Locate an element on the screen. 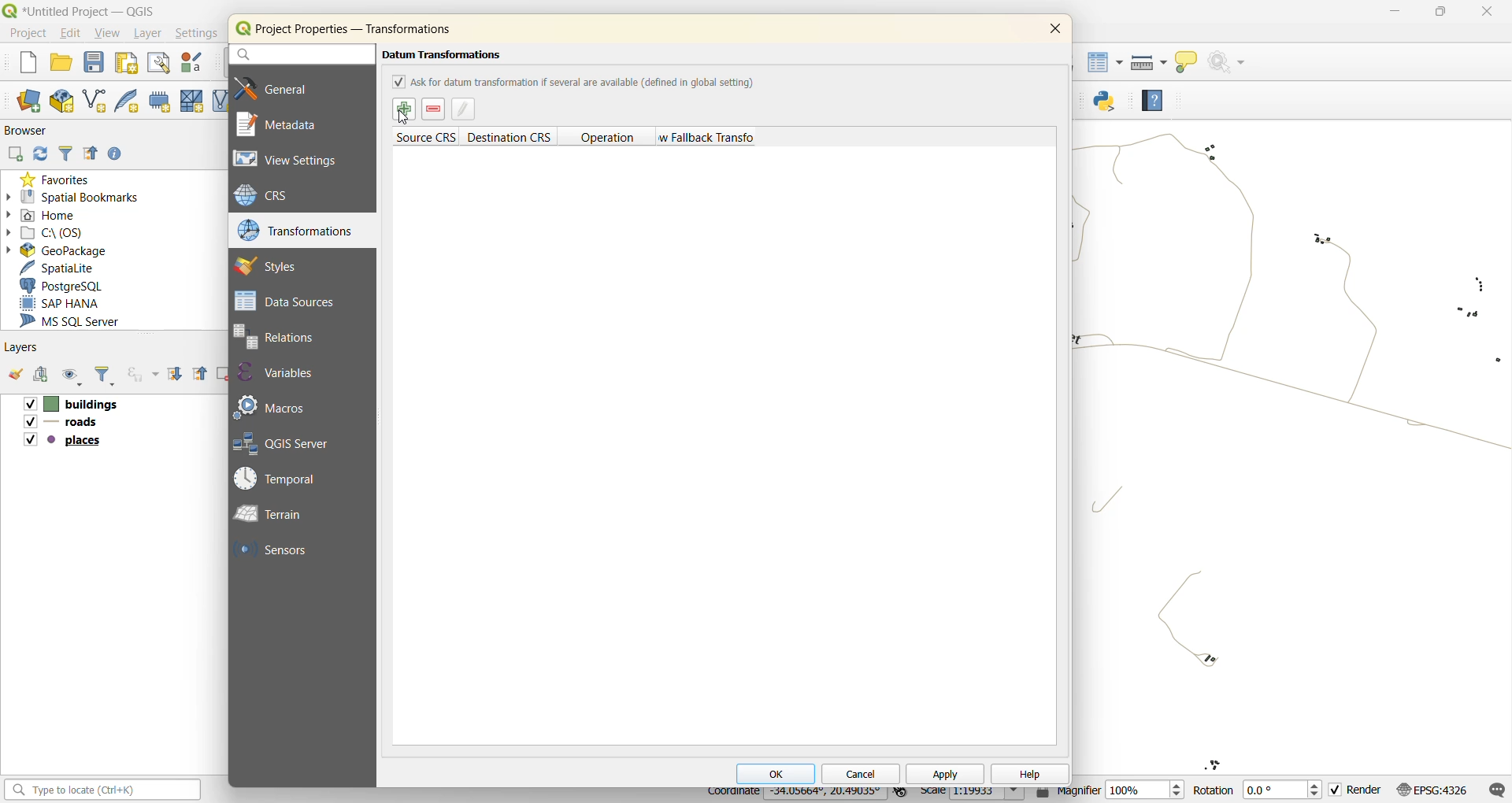  source crs is located at coordinates (426, 136).